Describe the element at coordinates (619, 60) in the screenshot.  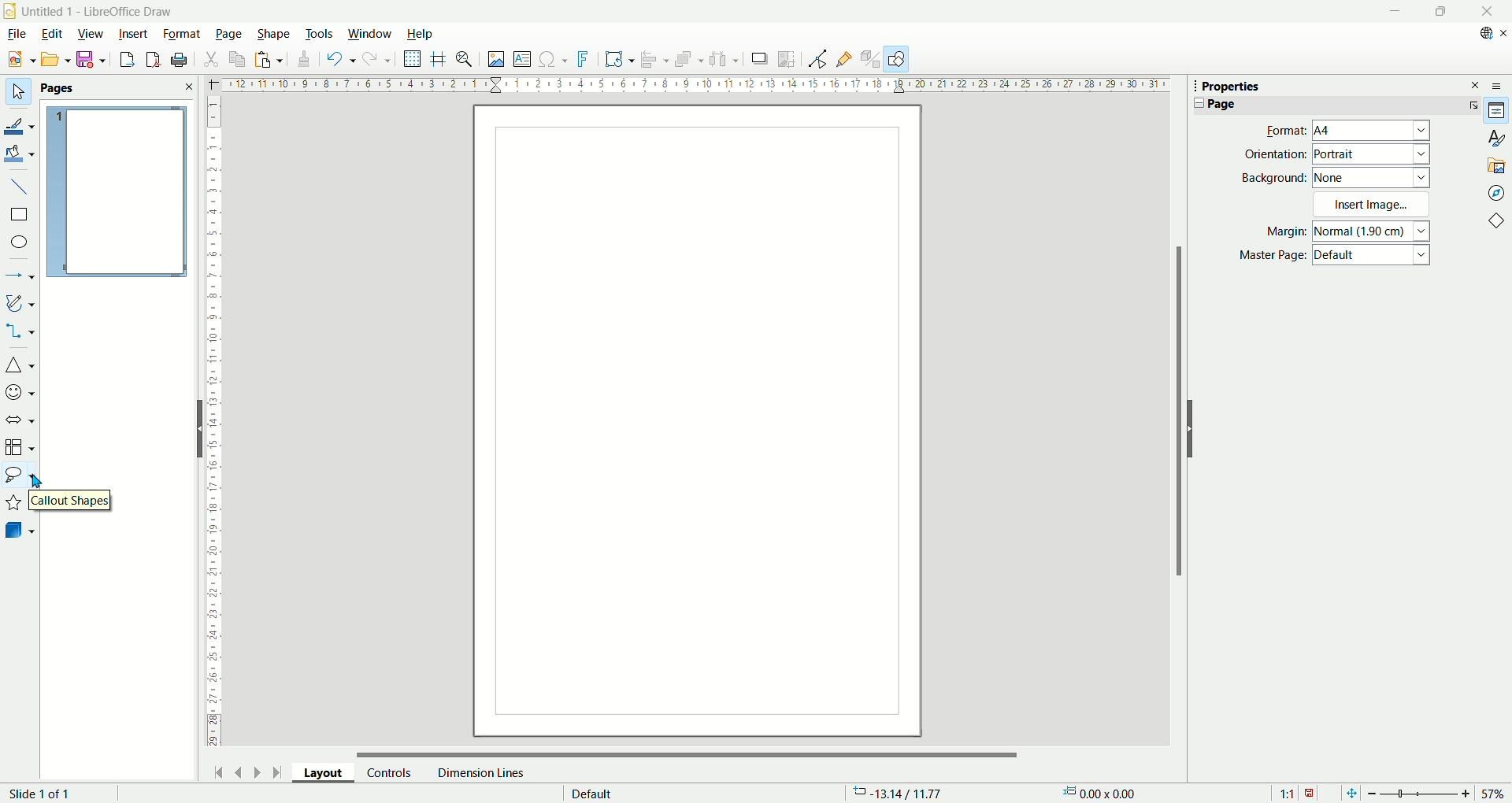
I see `fontwork text` at that location.